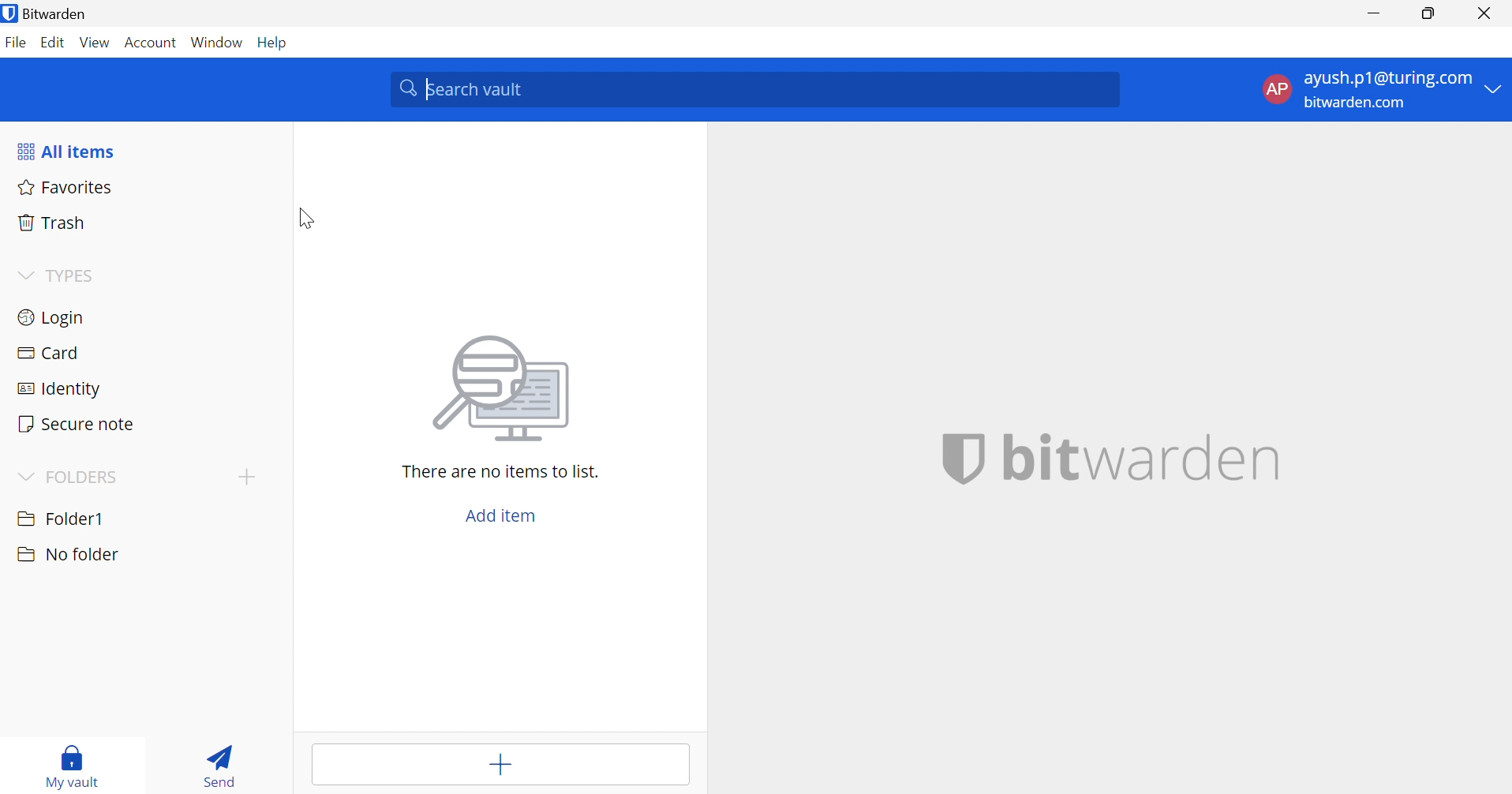 The image size is (1512, 794). Describe the element at coordinates (51, 353) in the screenshot. I see `Card` at that location.